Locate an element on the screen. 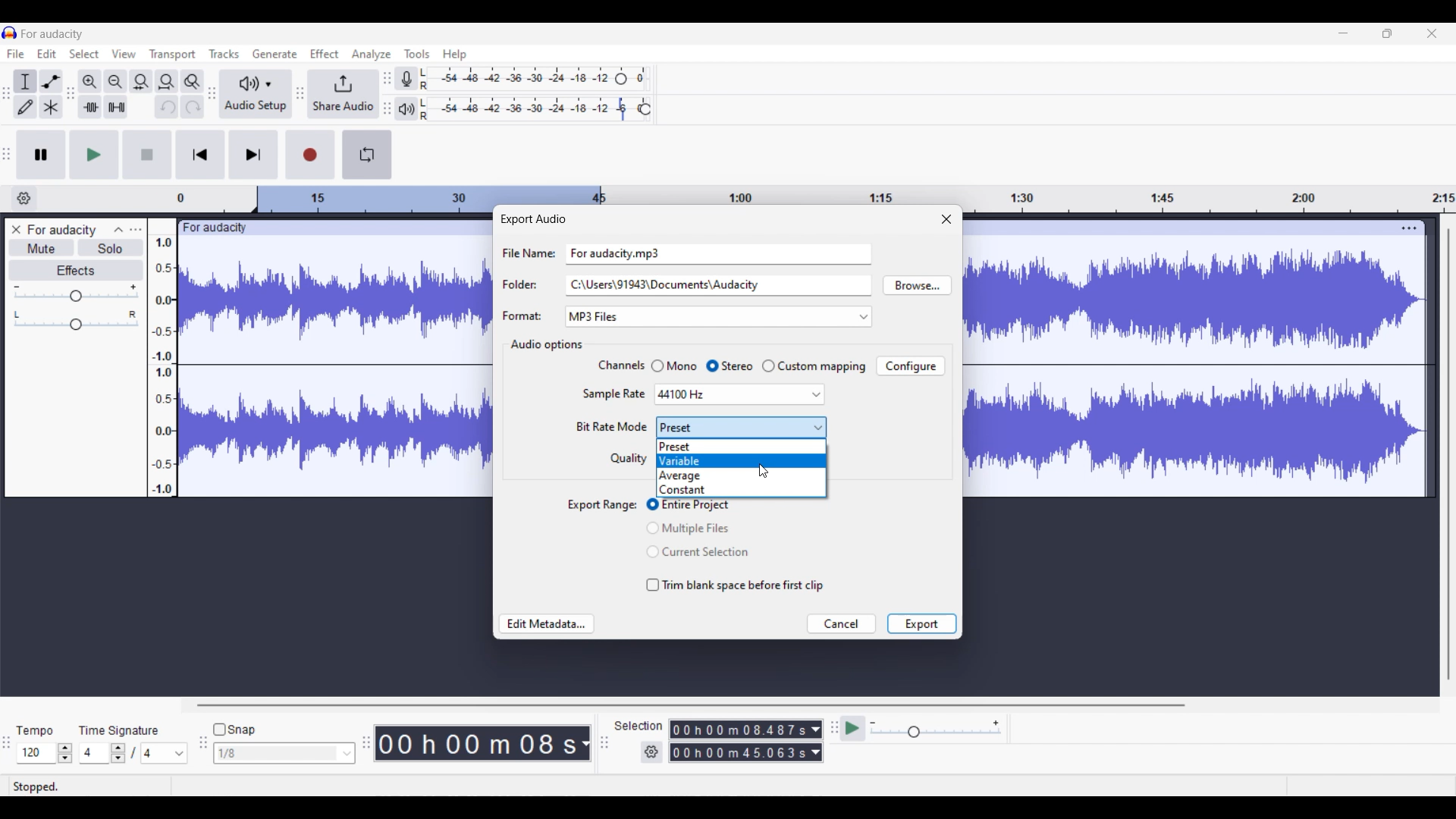 This screenshot has height=819, width=1456. Enable looping is located at coordinates (366, 155).